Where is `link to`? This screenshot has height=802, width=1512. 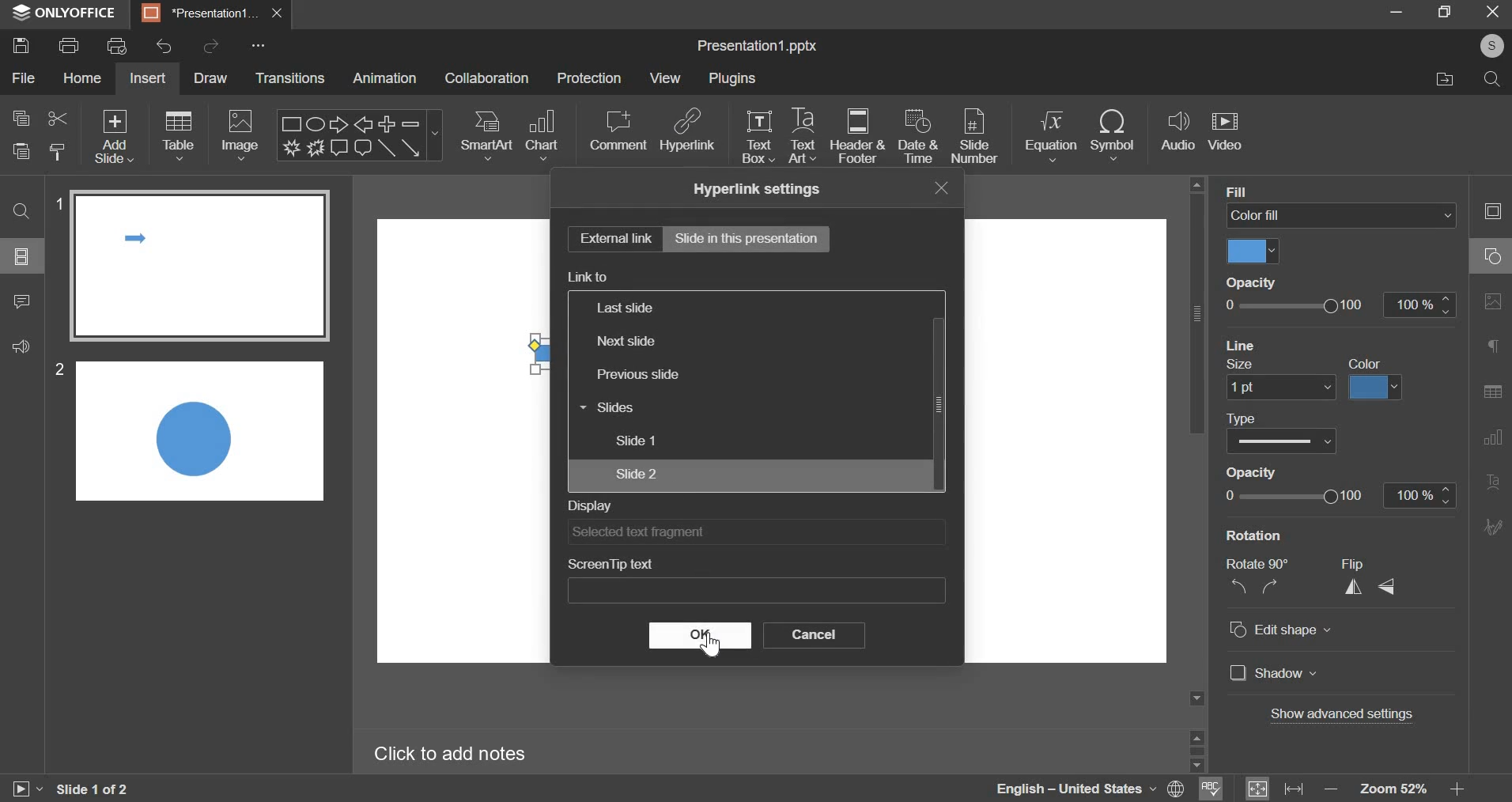 link to is located at coordinates (588, 277).